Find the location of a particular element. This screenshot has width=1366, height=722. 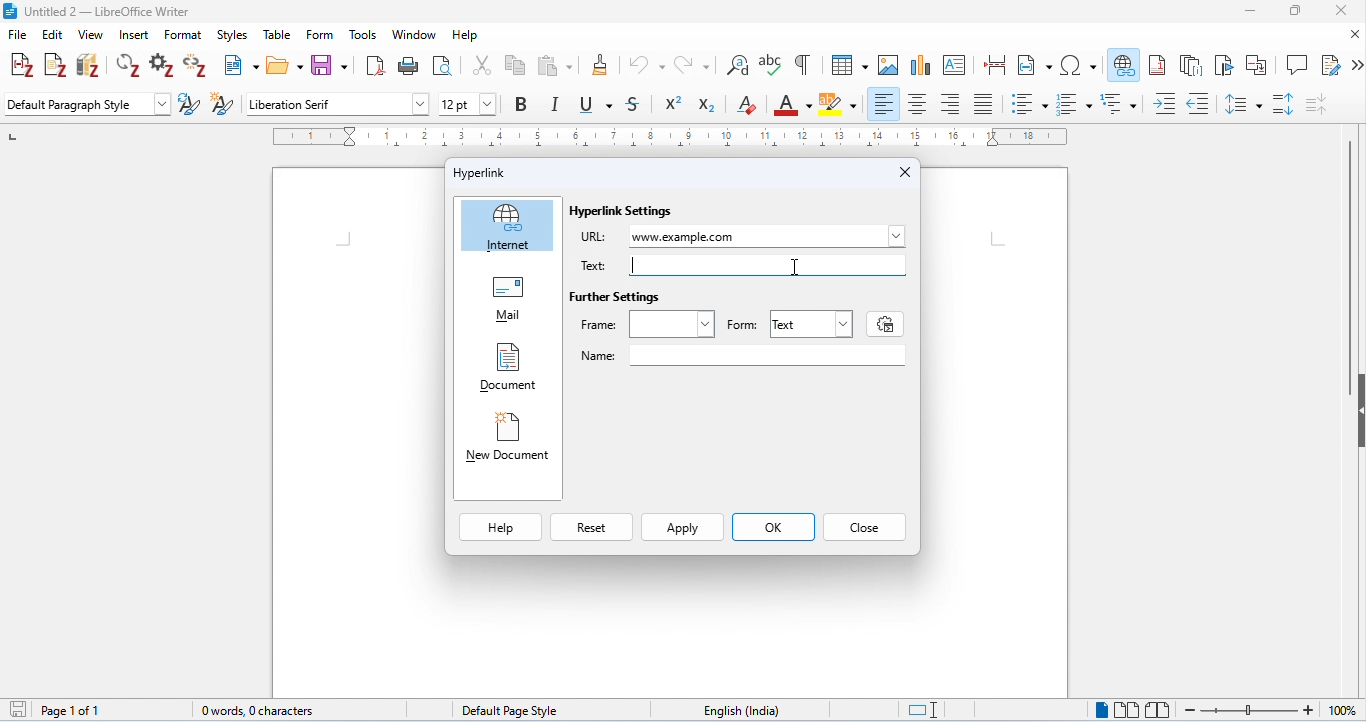

hide is located at coordinates (1357, 413).